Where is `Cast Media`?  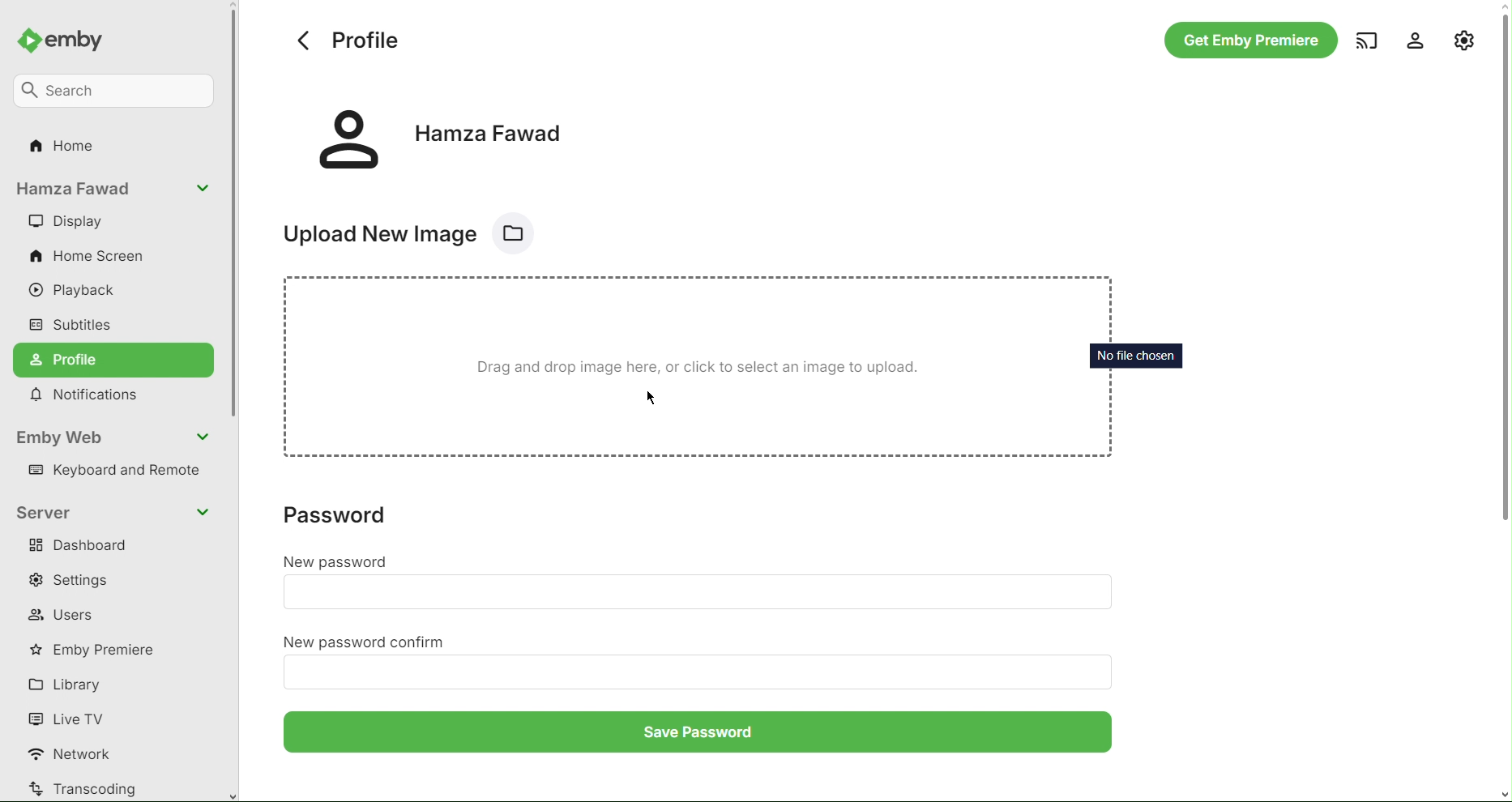
Cast Media is located at coordinates (1364, 41).